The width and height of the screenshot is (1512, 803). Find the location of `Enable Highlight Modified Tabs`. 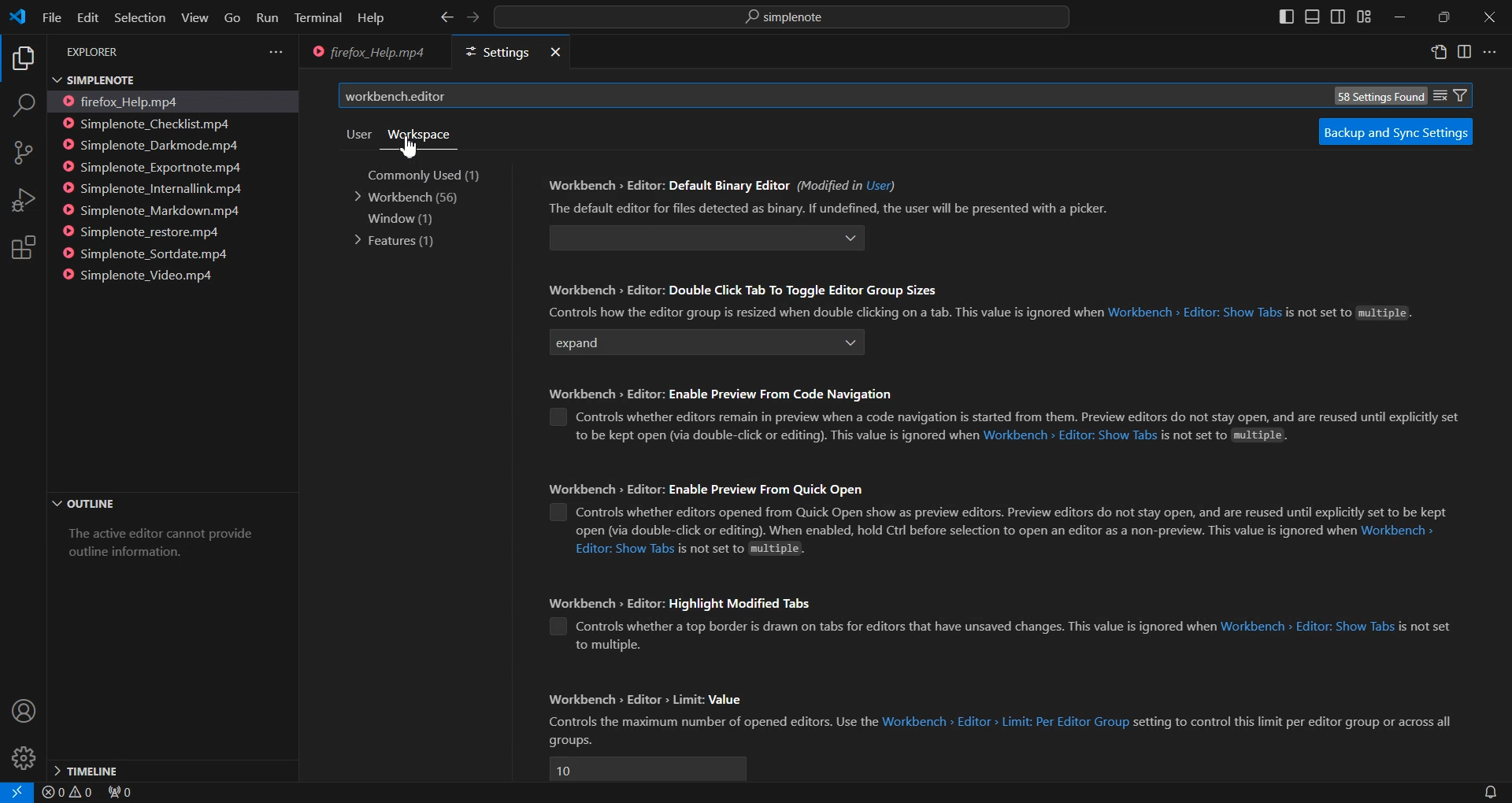

Enable Highlight Modified Tabs is located at coordinates (558, 627).